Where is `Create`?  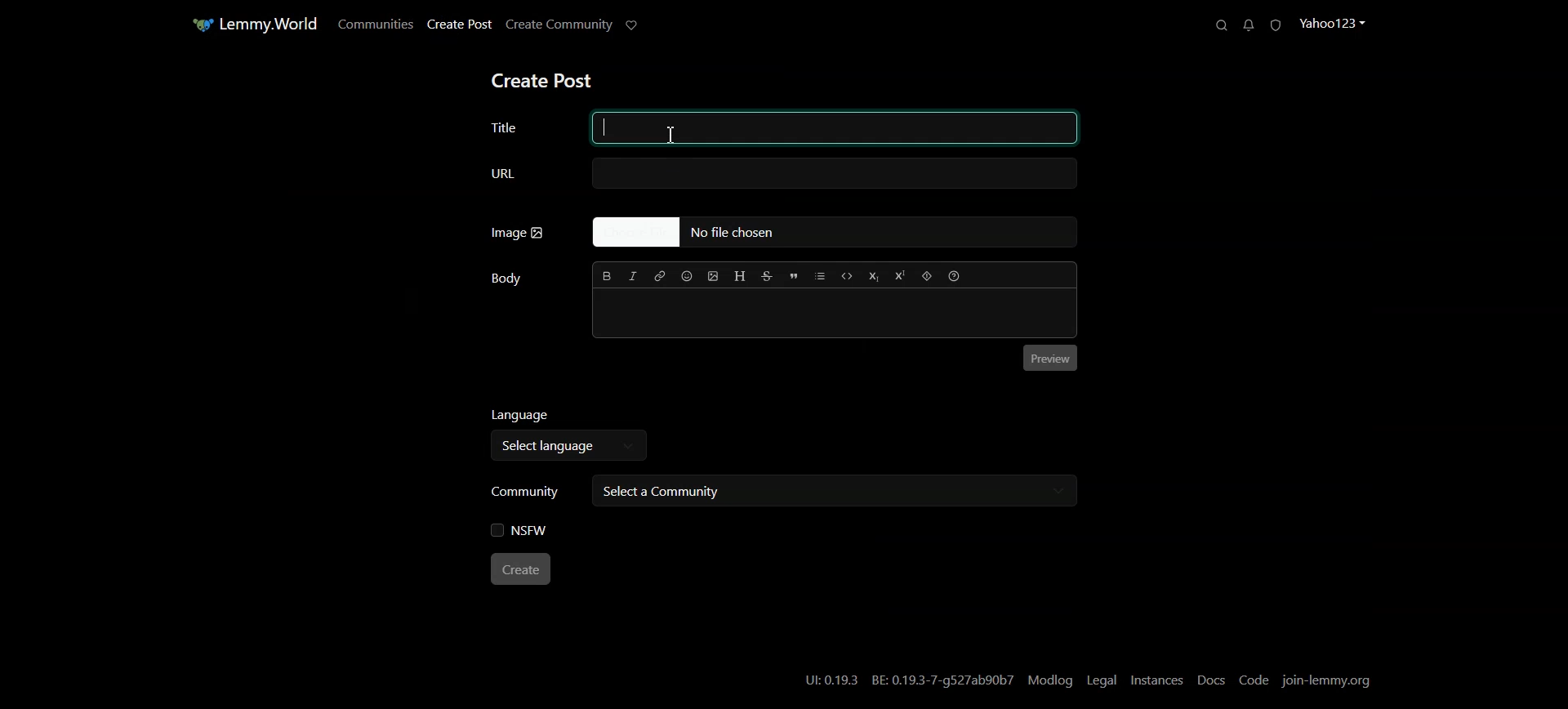
Create is located at coordinates (523, 570).